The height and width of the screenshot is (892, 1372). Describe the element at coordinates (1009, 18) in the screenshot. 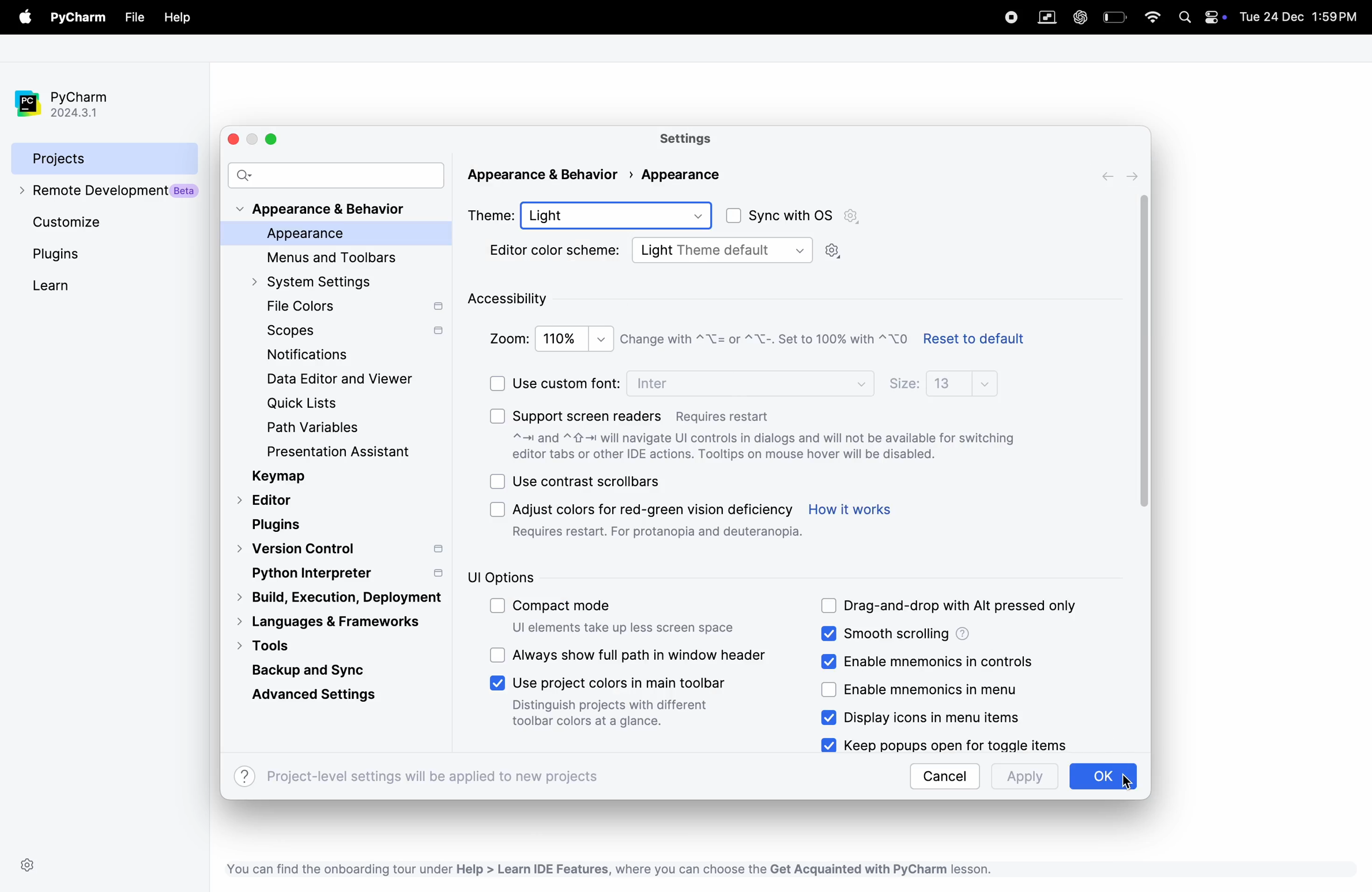

I see `record` at that location.